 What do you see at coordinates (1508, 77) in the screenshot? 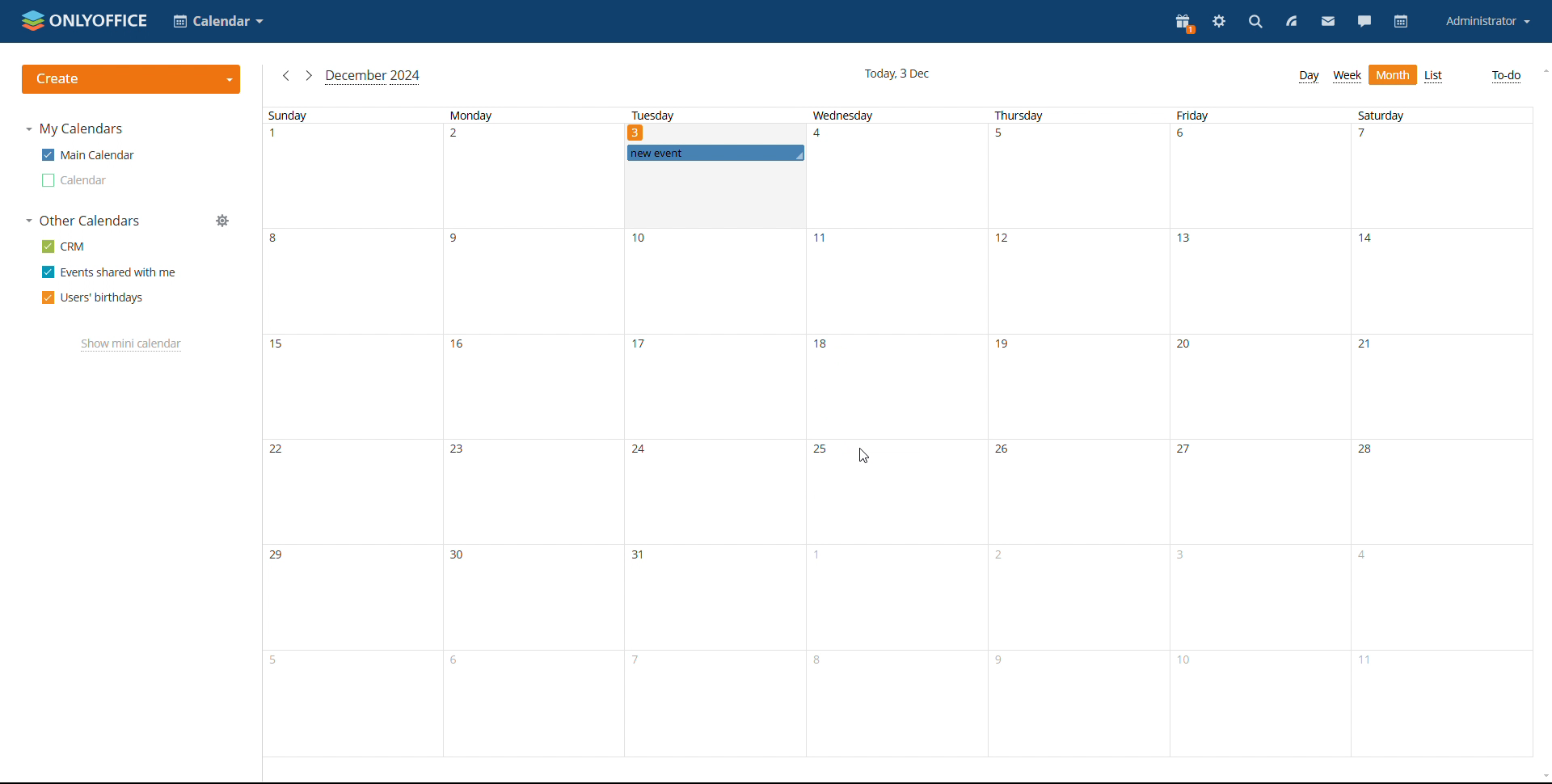
I see `to-do` at bounding box center [1508, 77].